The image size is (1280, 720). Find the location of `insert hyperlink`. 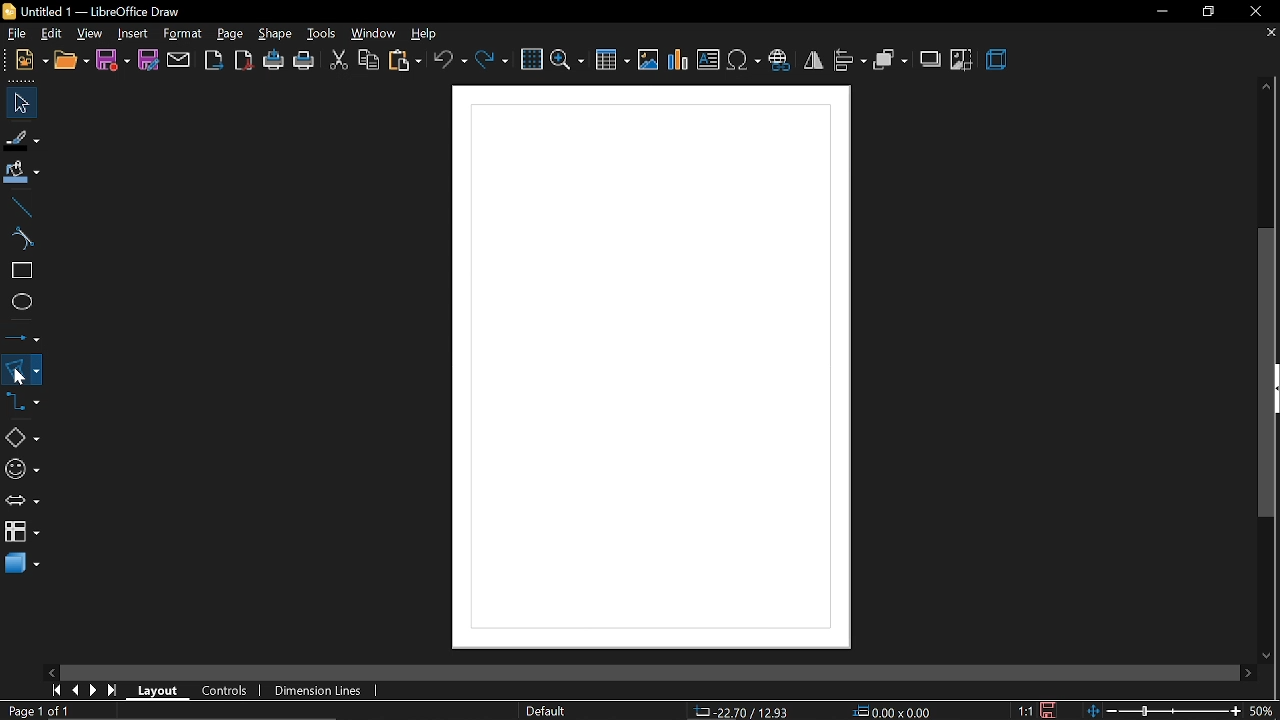

insert hyperlink is located at coordinates (782, 58).